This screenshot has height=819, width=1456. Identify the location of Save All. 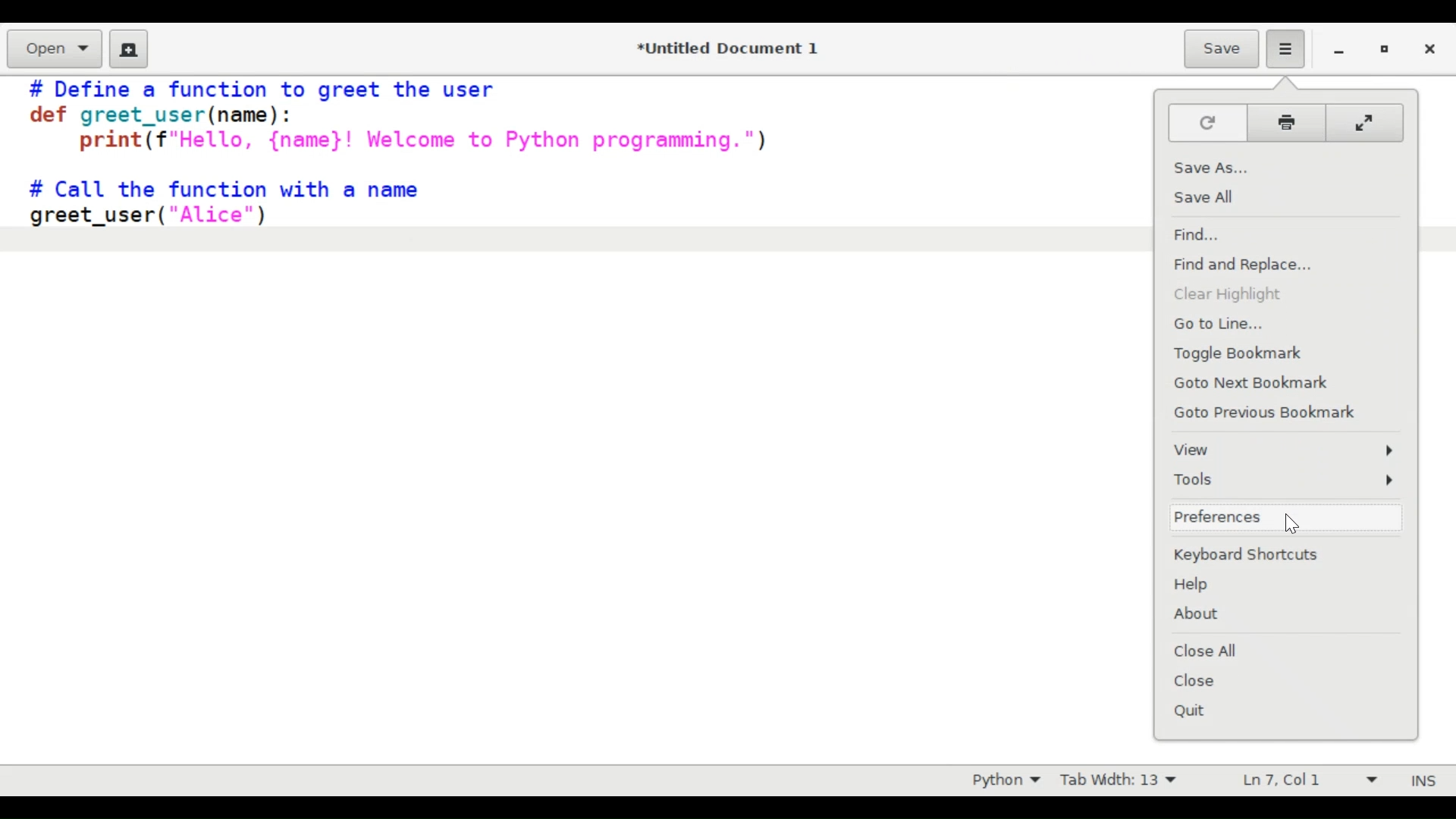
(1263, 198).